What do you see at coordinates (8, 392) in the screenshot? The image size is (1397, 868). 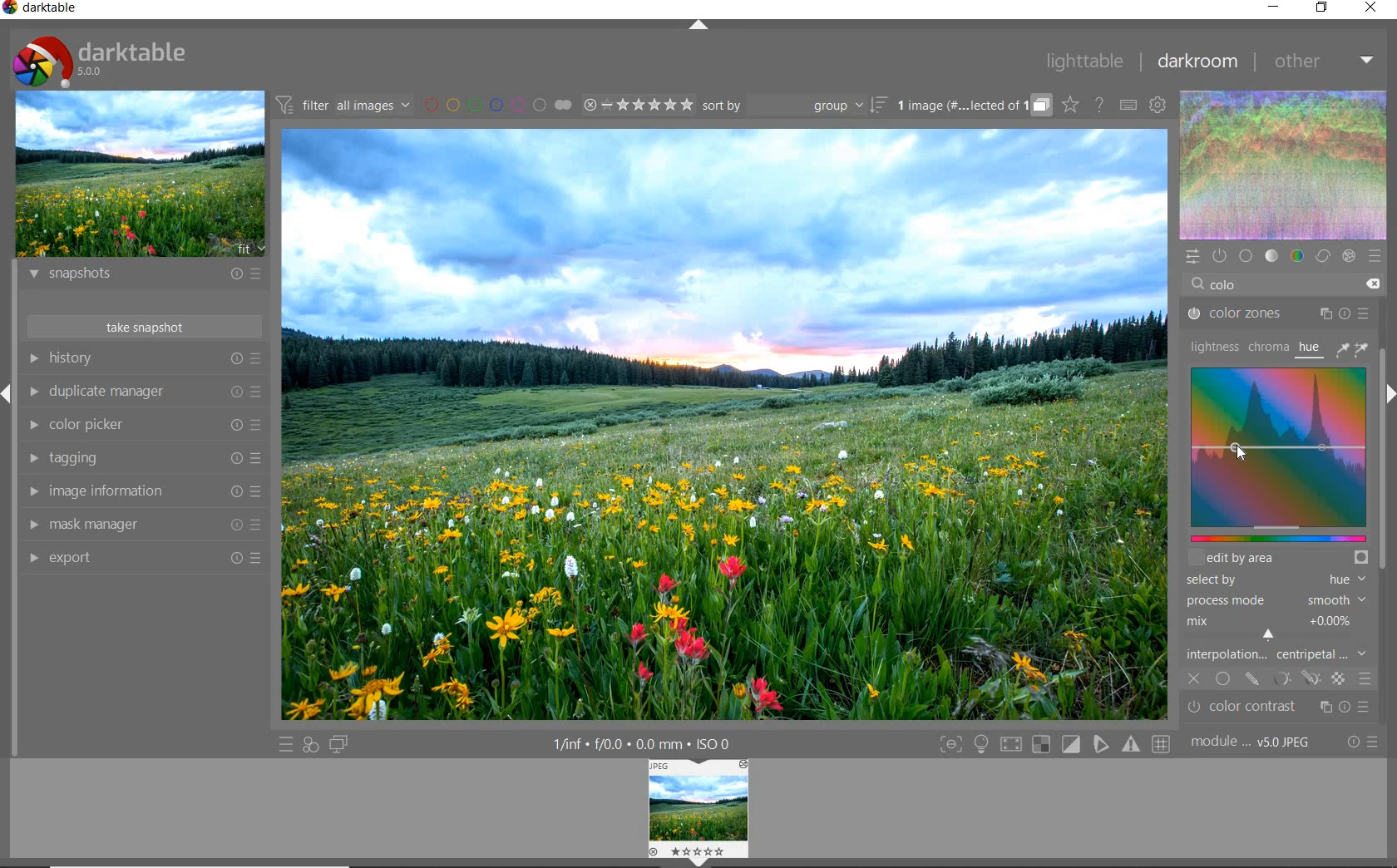 I see `Expand / Collapse` at bounding box center [8, 392].